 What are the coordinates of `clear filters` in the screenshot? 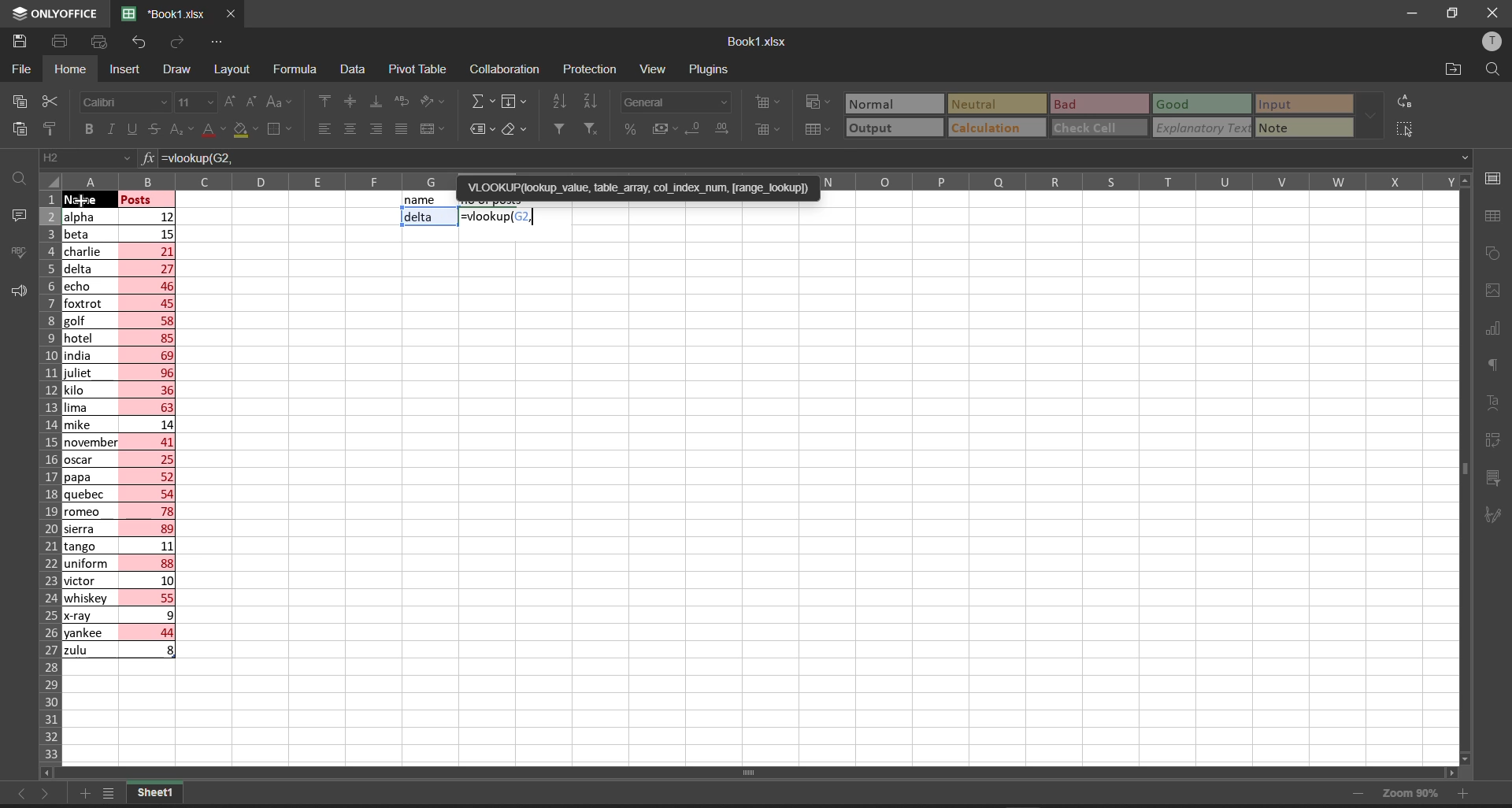 It's located at (591, 128).